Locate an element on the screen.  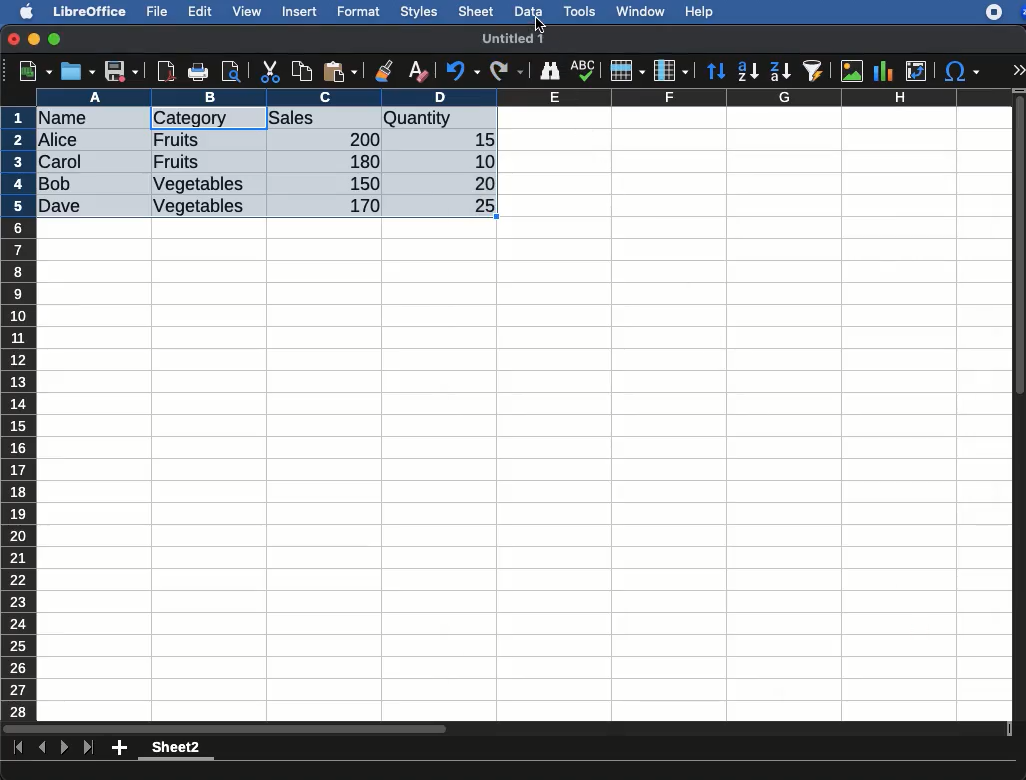
finder is located at coordinates (549, 71).